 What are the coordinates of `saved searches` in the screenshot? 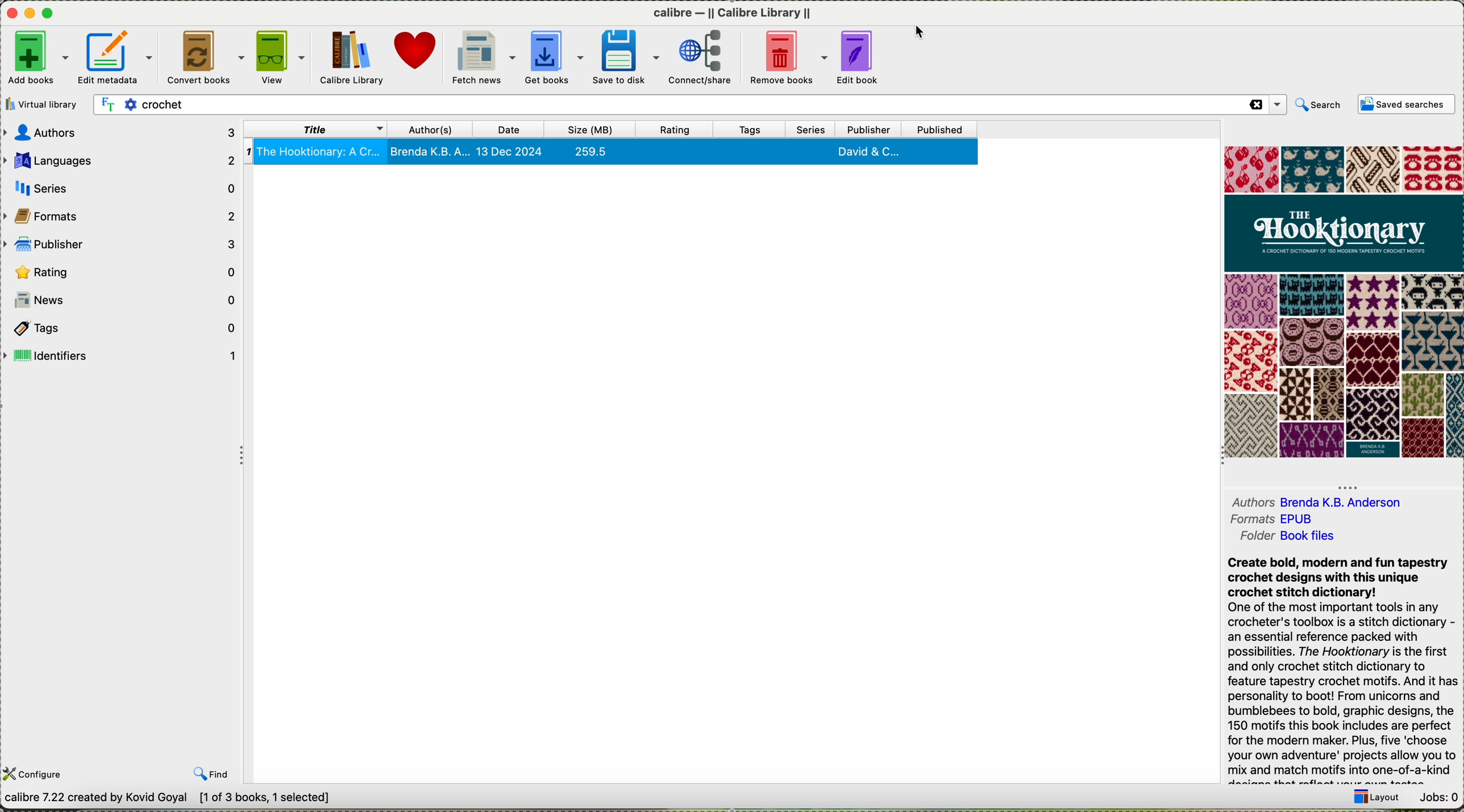 It's located at (1405, 105).